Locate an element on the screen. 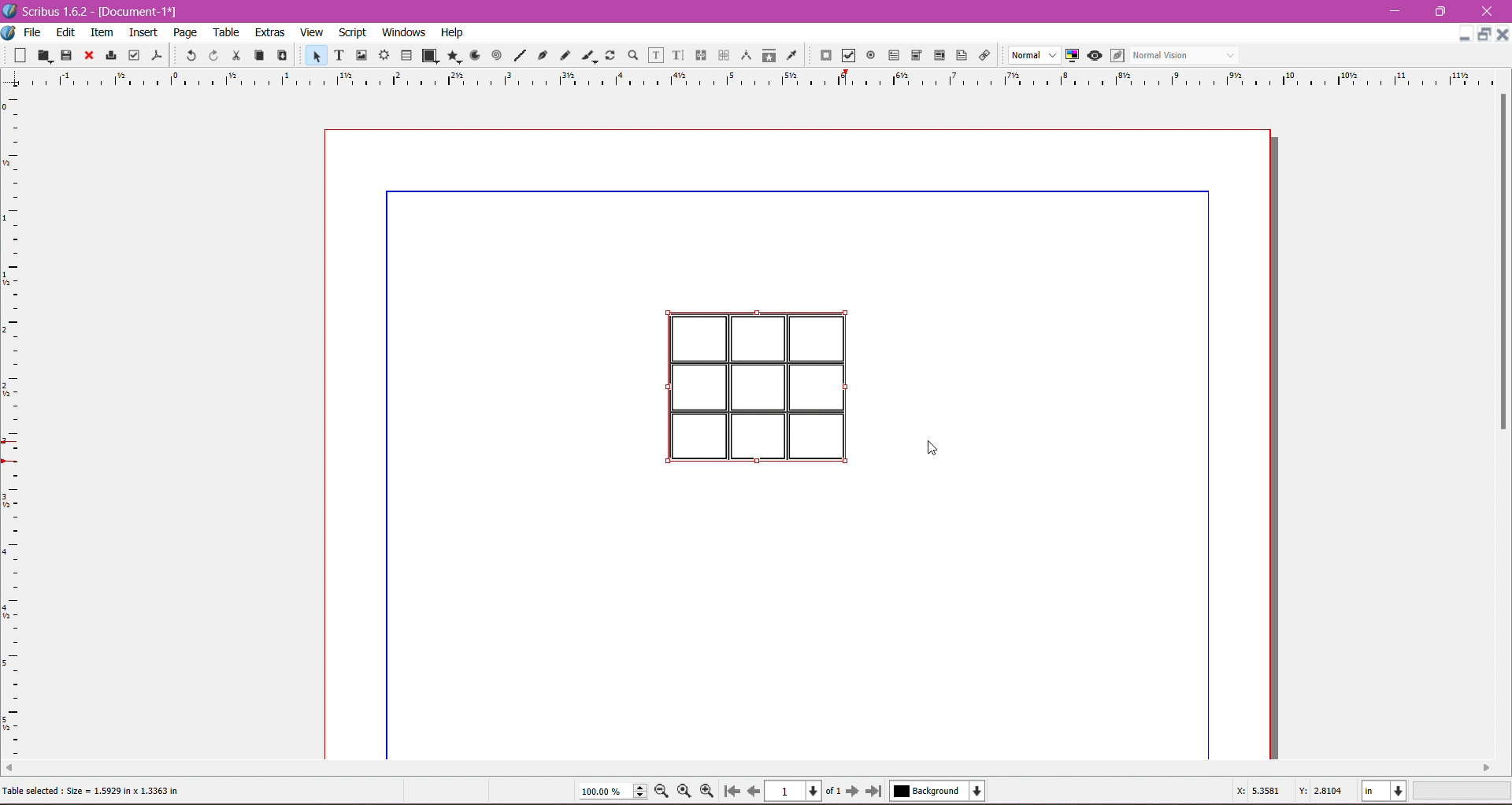 The height and width of the screenshot is (805, 1512). Arc is located at coordinates (473, 54).